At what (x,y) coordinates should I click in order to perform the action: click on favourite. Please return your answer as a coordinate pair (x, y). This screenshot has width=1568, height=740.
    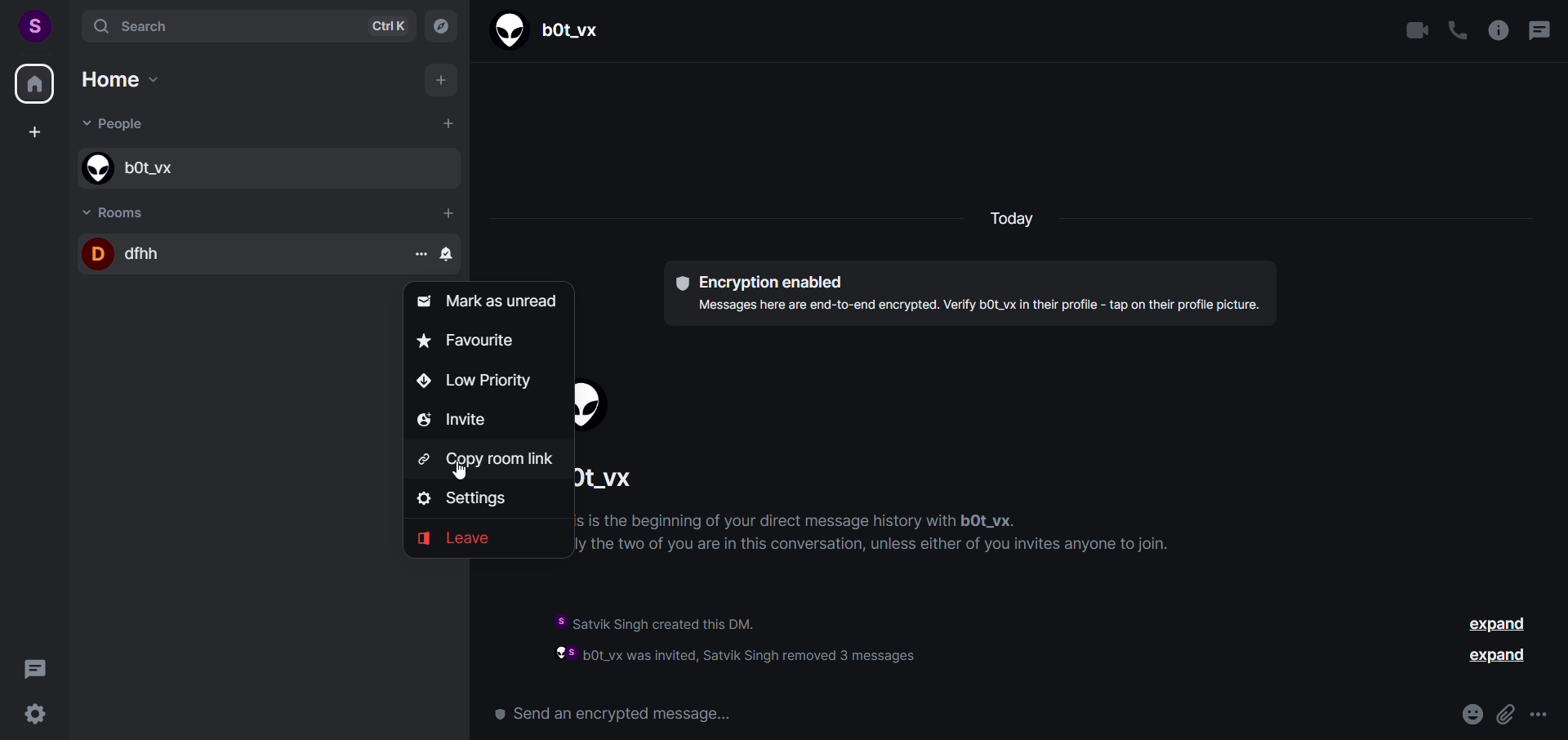
    Looking at the image, I should click on (470, 342).